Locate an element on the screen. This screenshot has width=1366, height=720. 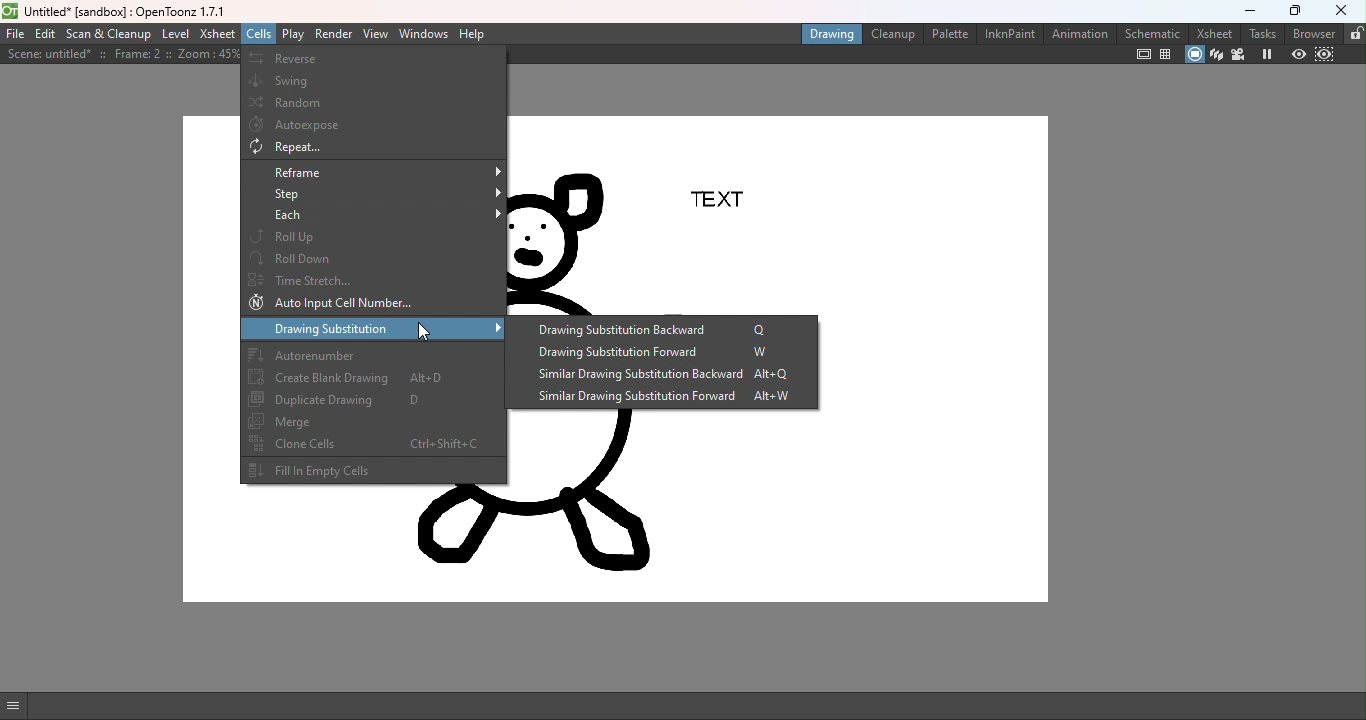
Camera view is located at coordinates (1240, 53).